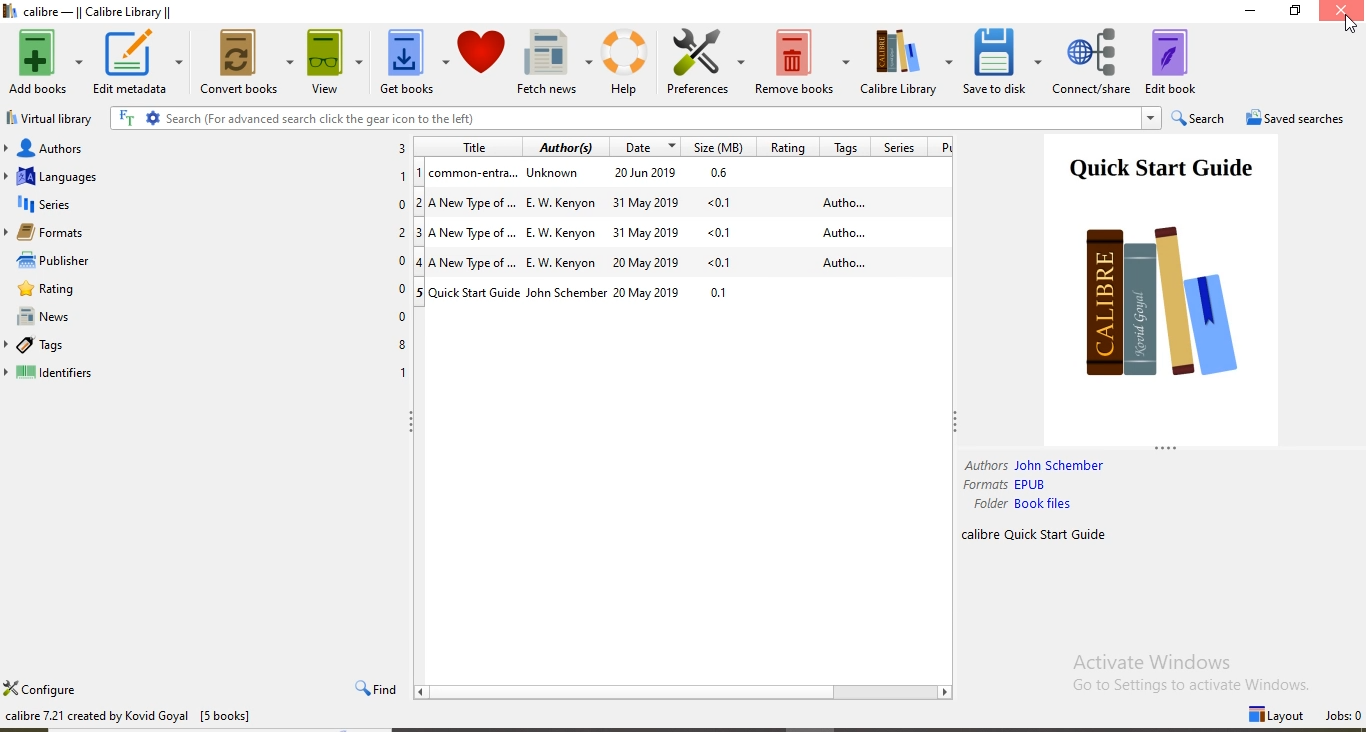  I want to click on calibre 7.21 created Kovid Goyal [5 books], so click(127, 714).